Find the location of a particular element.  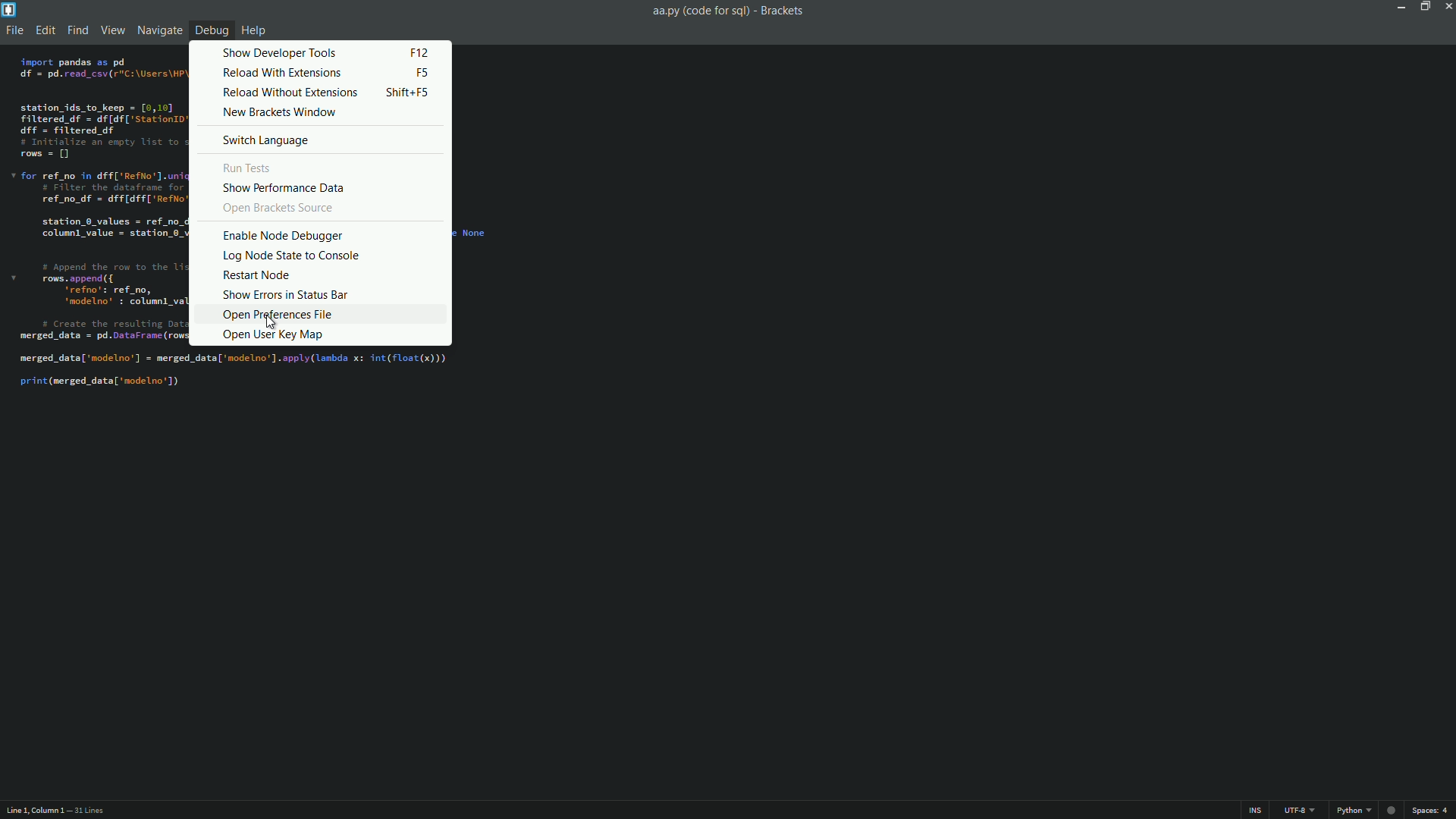

reload without extensions is located at coordinates (288, 92).